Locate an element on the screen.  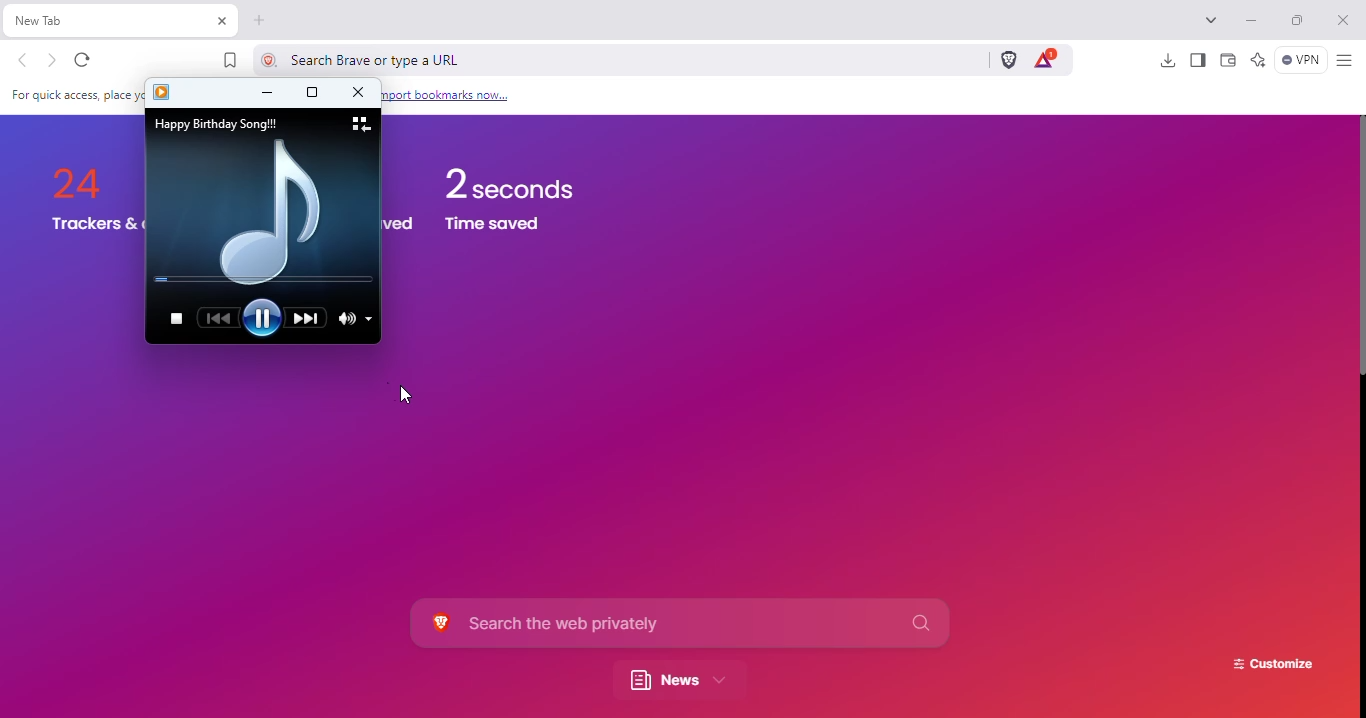
leo AI is located at coordinates (1258, 59).